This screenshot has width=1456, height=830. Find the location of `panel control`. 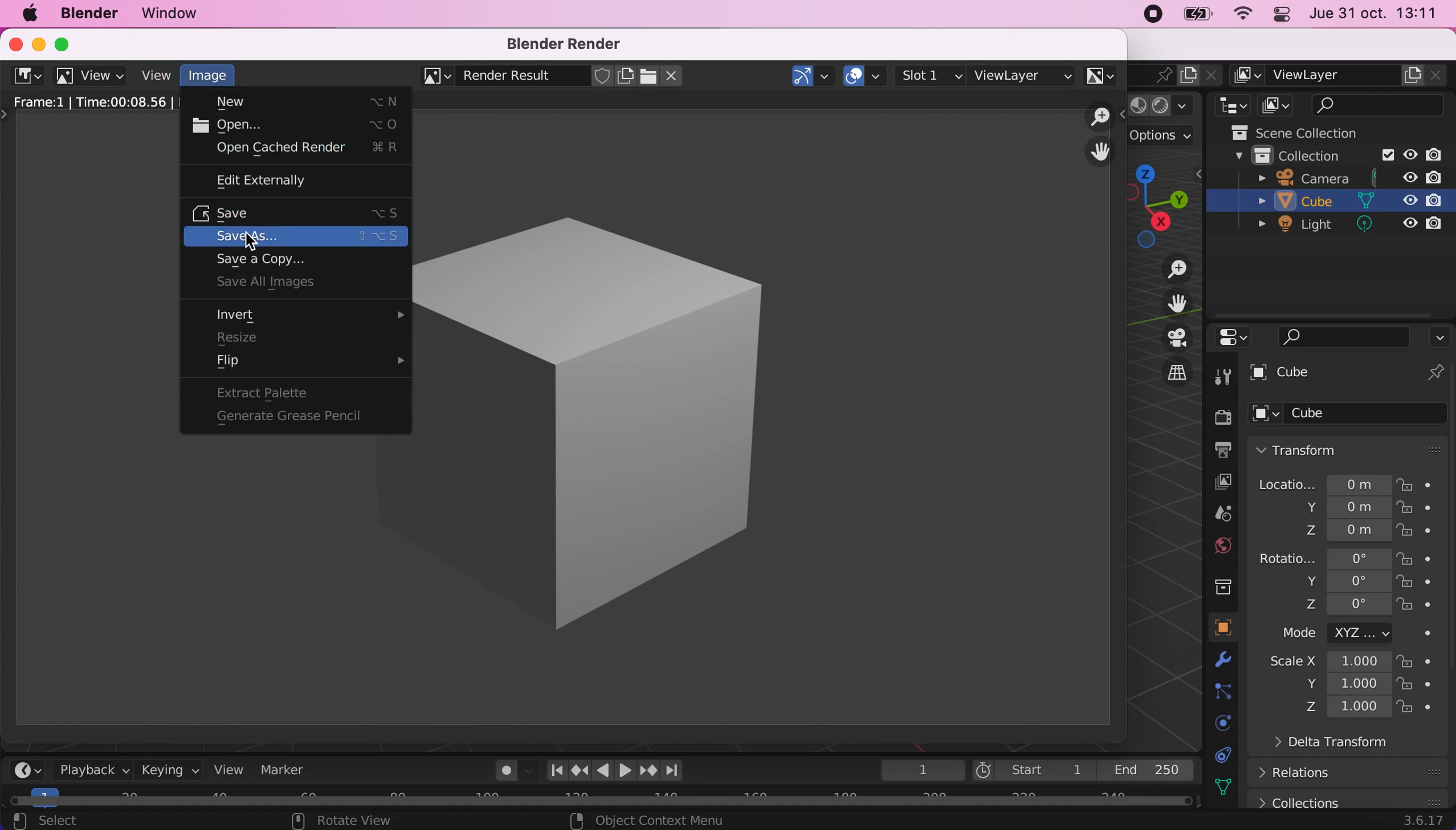

panel control is located at coordinates (1284, 14).